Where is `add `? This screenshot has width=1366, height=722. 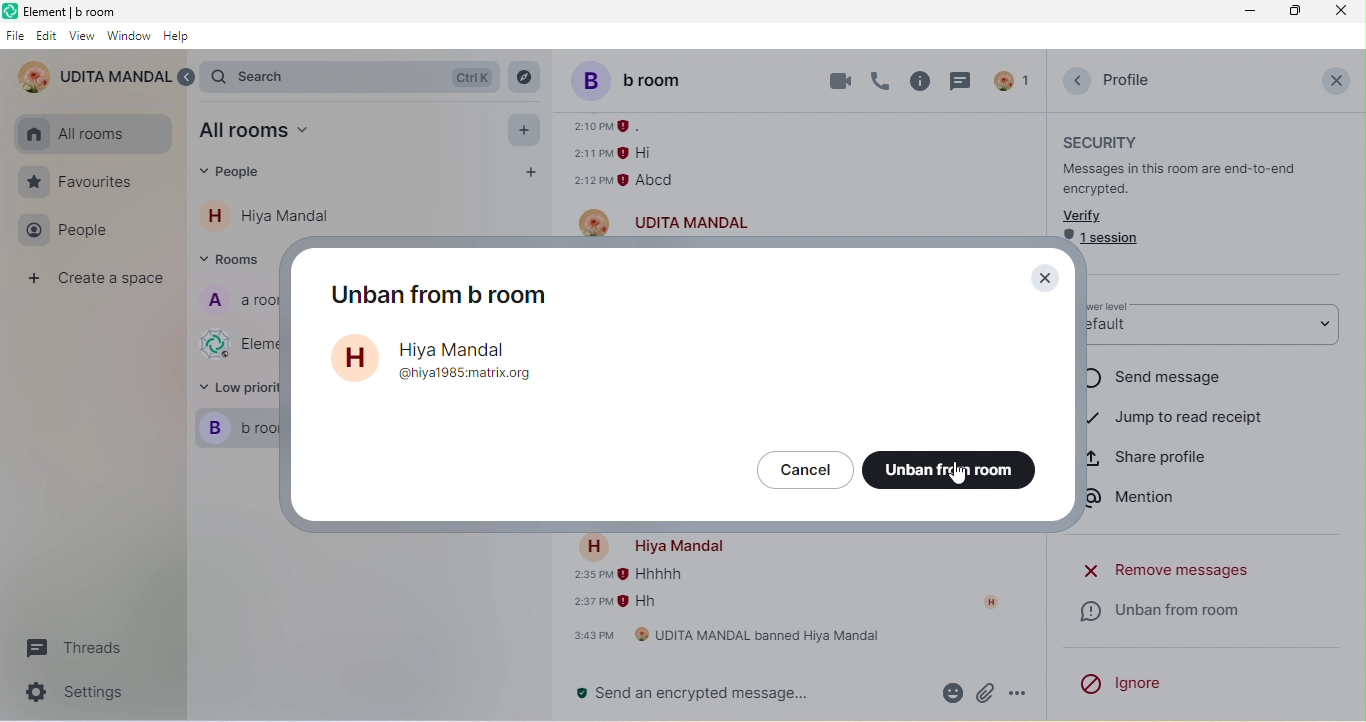 add  is located at coordinates (527, 130).